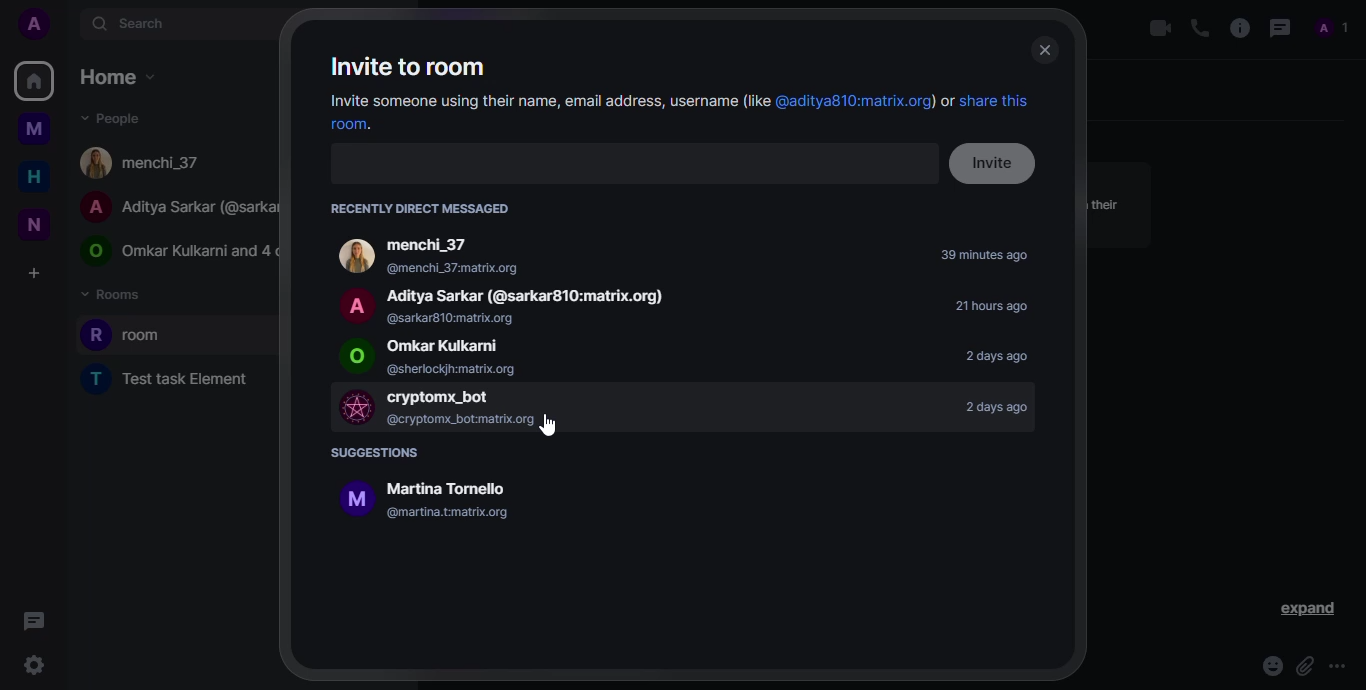  What do you see at coordinates (546, 426) in the screenshot?
I see `cursor` at bounding box center [546, 426].